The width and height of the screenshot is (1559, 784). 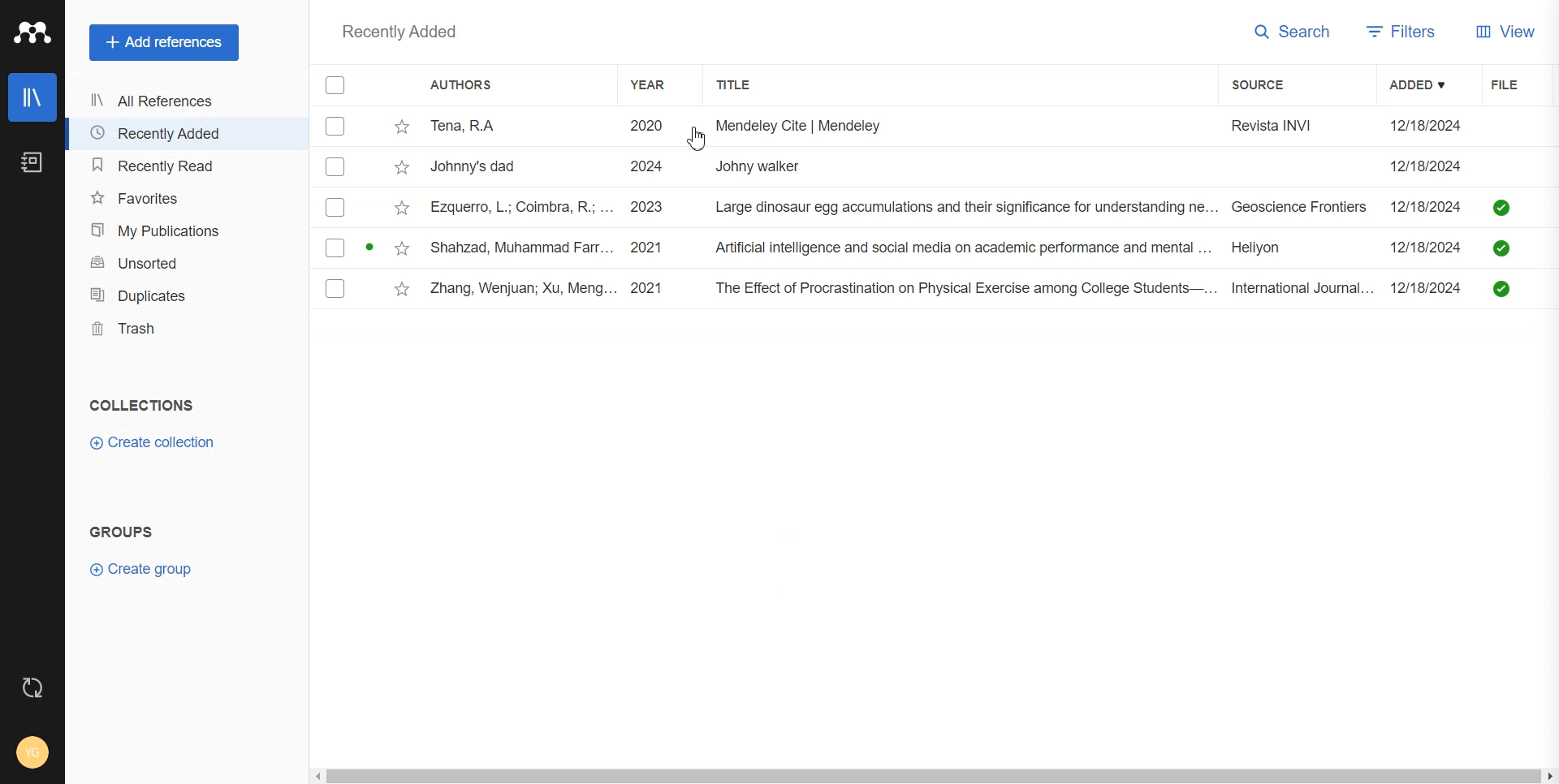 What do you see at coordinates (1292, 33) in the screenshot?
I see `Search` at bounding box center [1292, 33].